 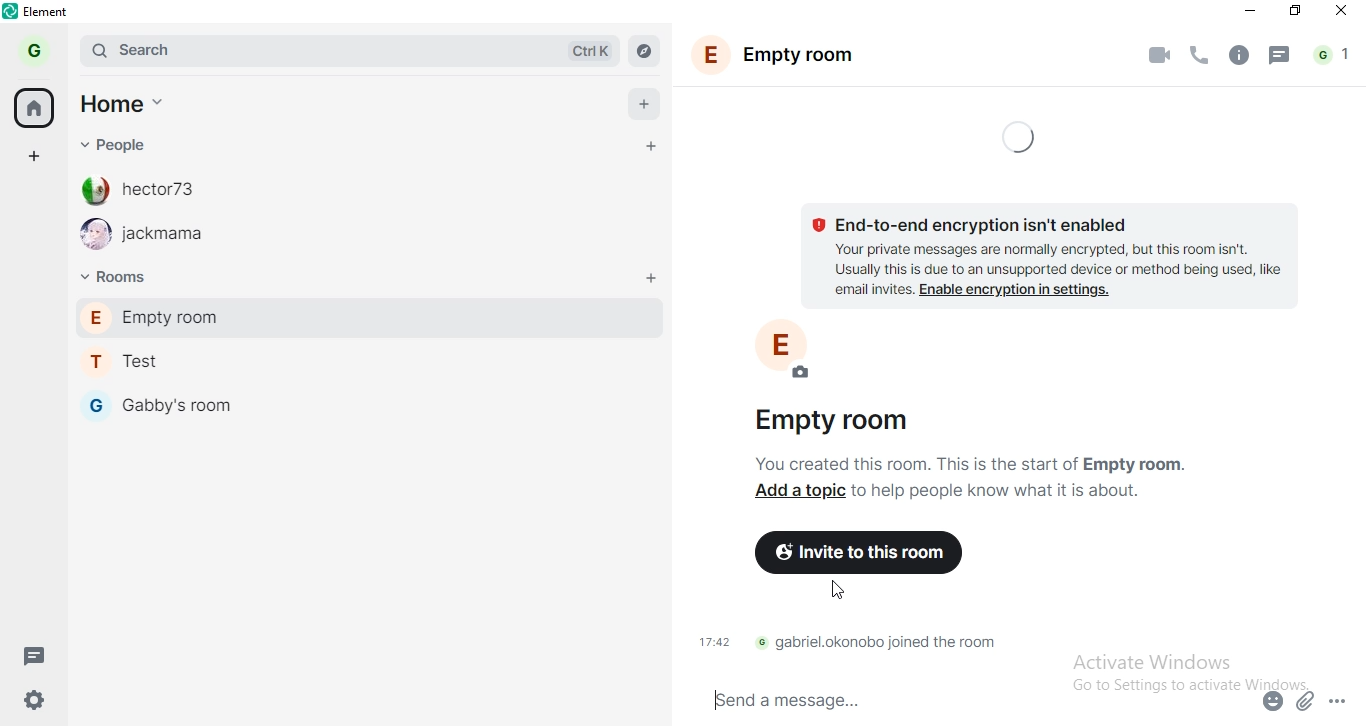 What do you see at coordinates (967, 453) in the screenshot?
I see `text2` at bounding box center [967, 453].